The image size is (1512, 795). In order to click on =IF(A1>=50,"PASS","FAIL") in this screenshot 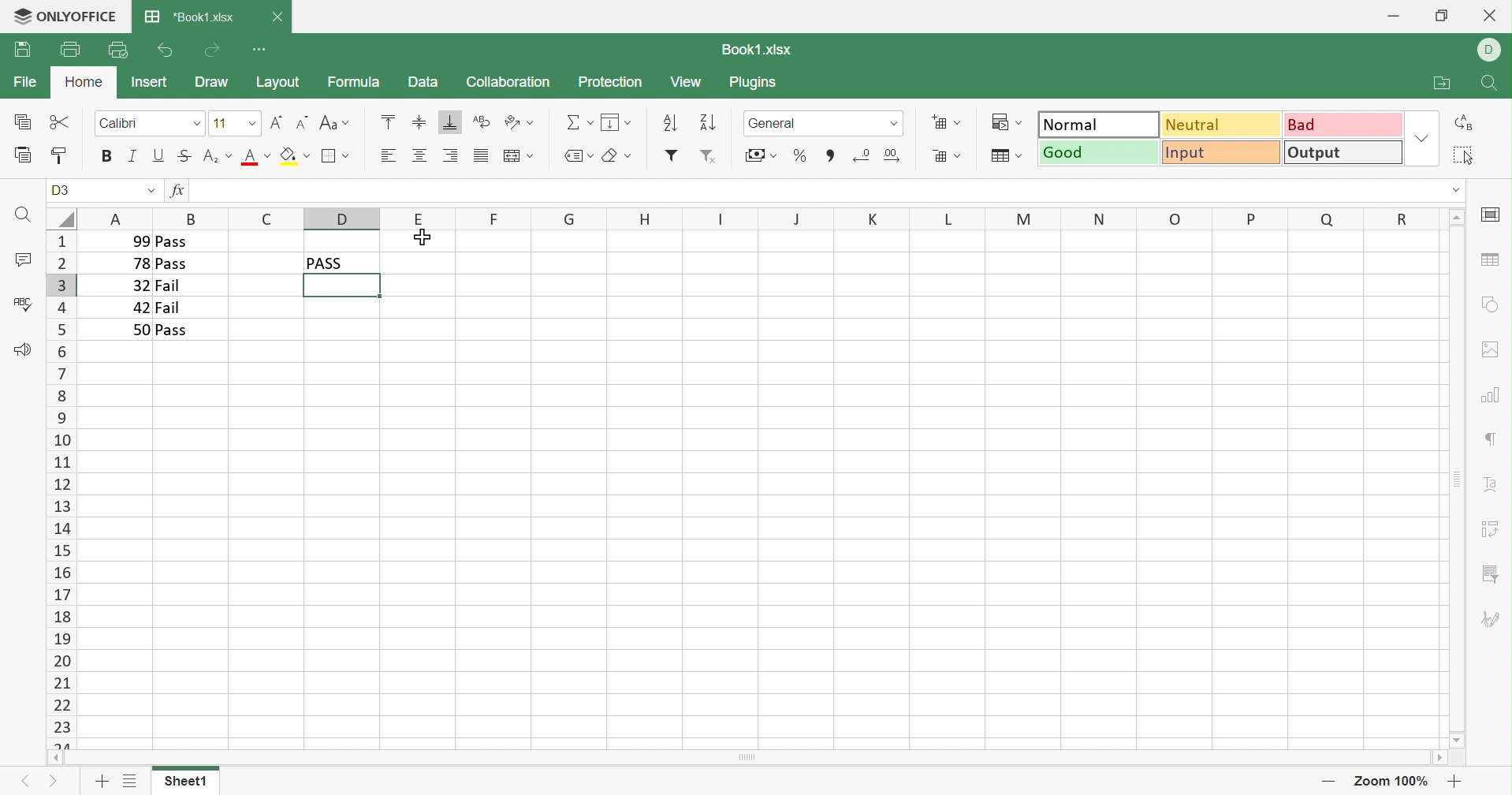, I will do `click(281, 192)`.